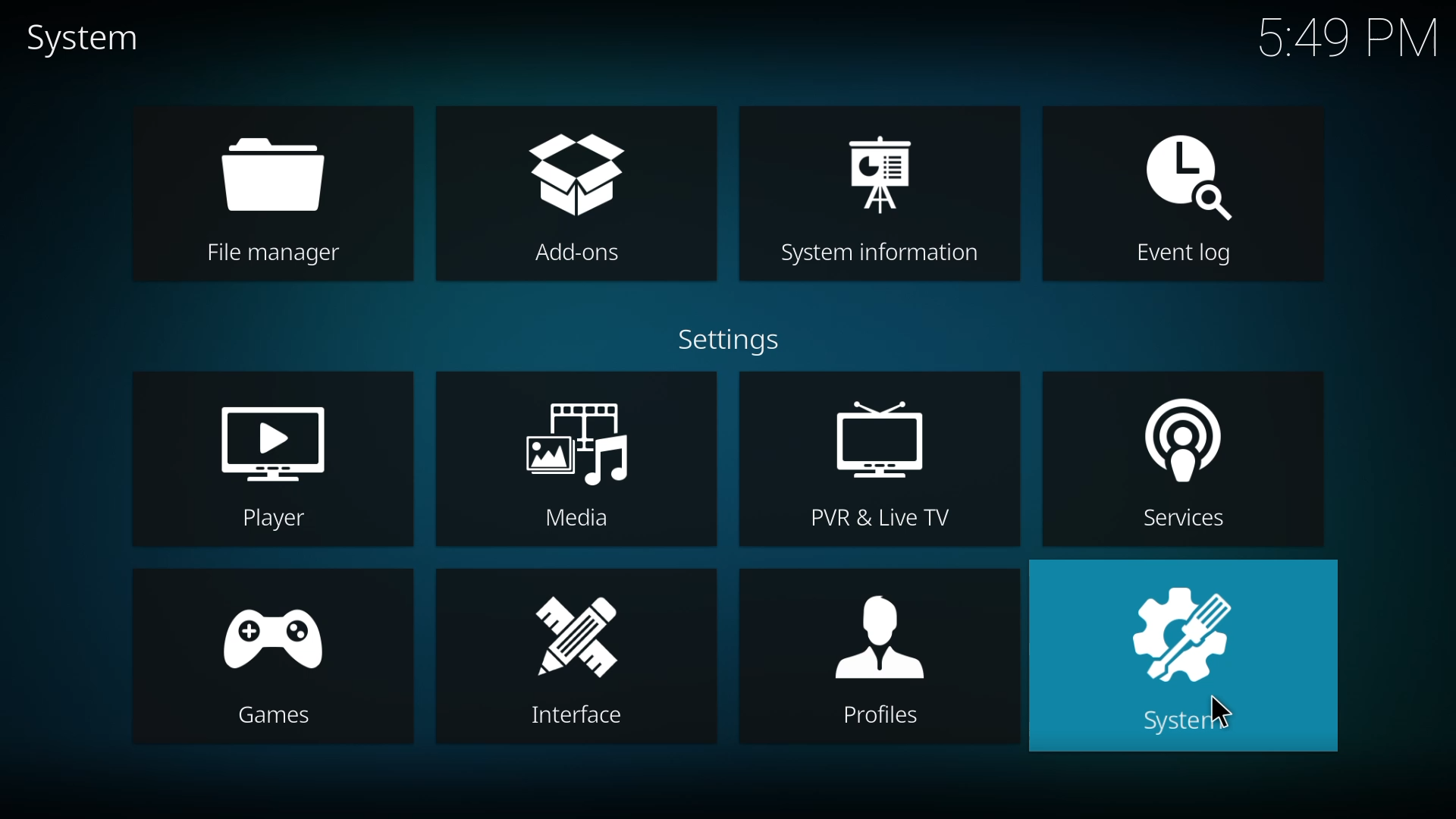 This screenshot has width=1456, height=819. I want to click on system information, so click(880, 193).